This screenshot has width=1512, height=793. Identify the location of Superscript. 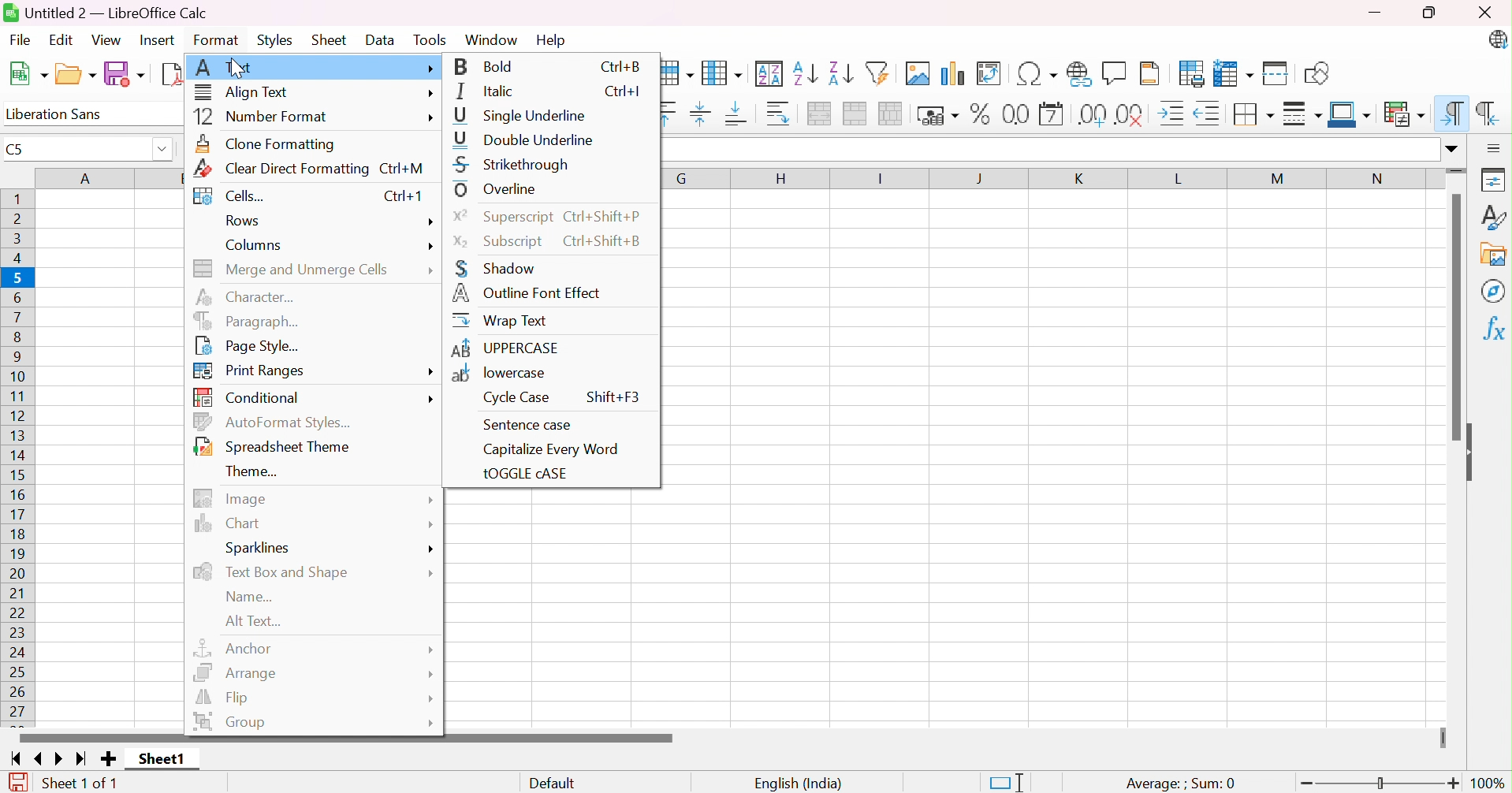
(503, 216).